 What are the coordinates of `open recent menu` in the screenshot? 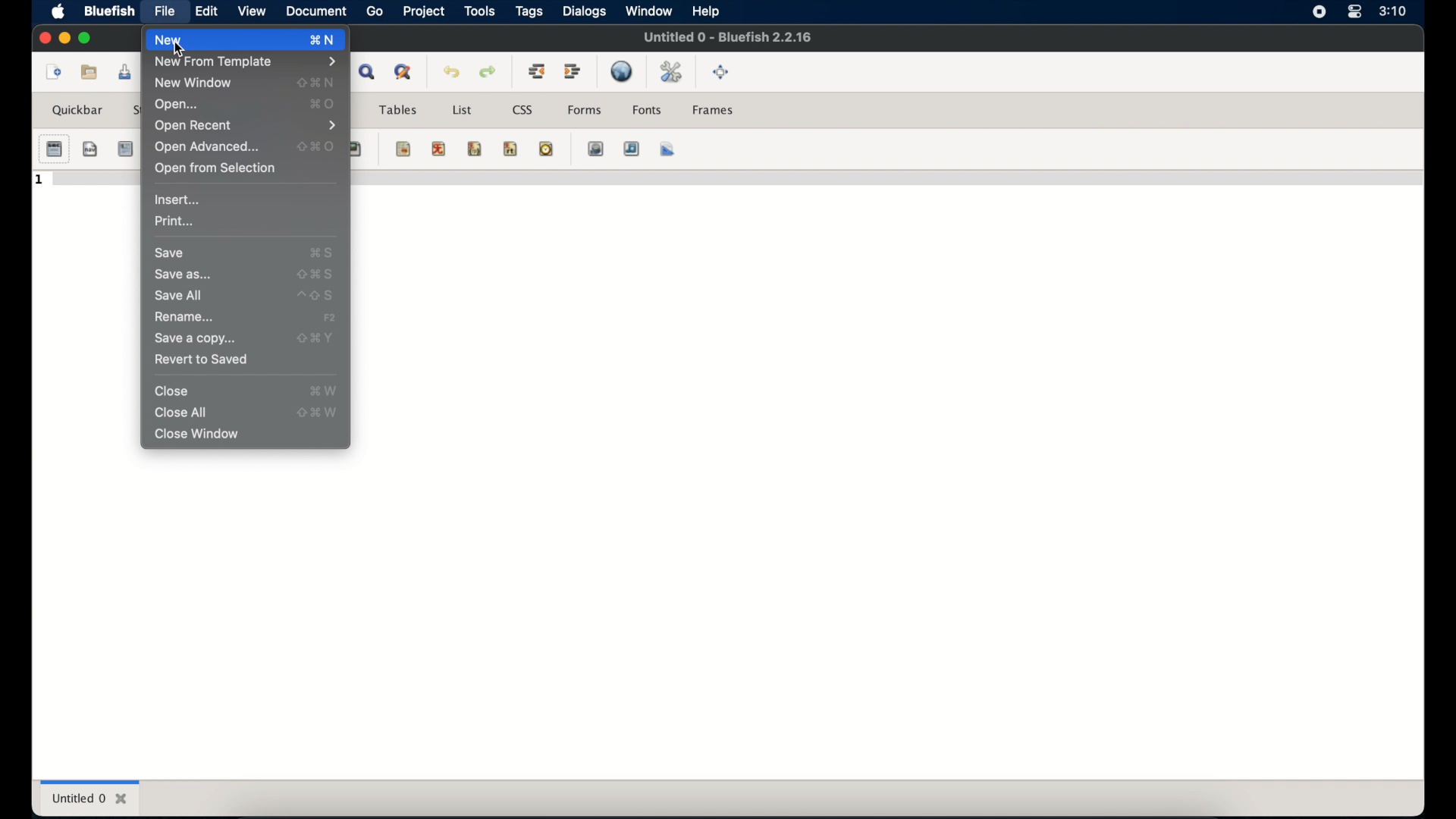 It's located at (246, 125).